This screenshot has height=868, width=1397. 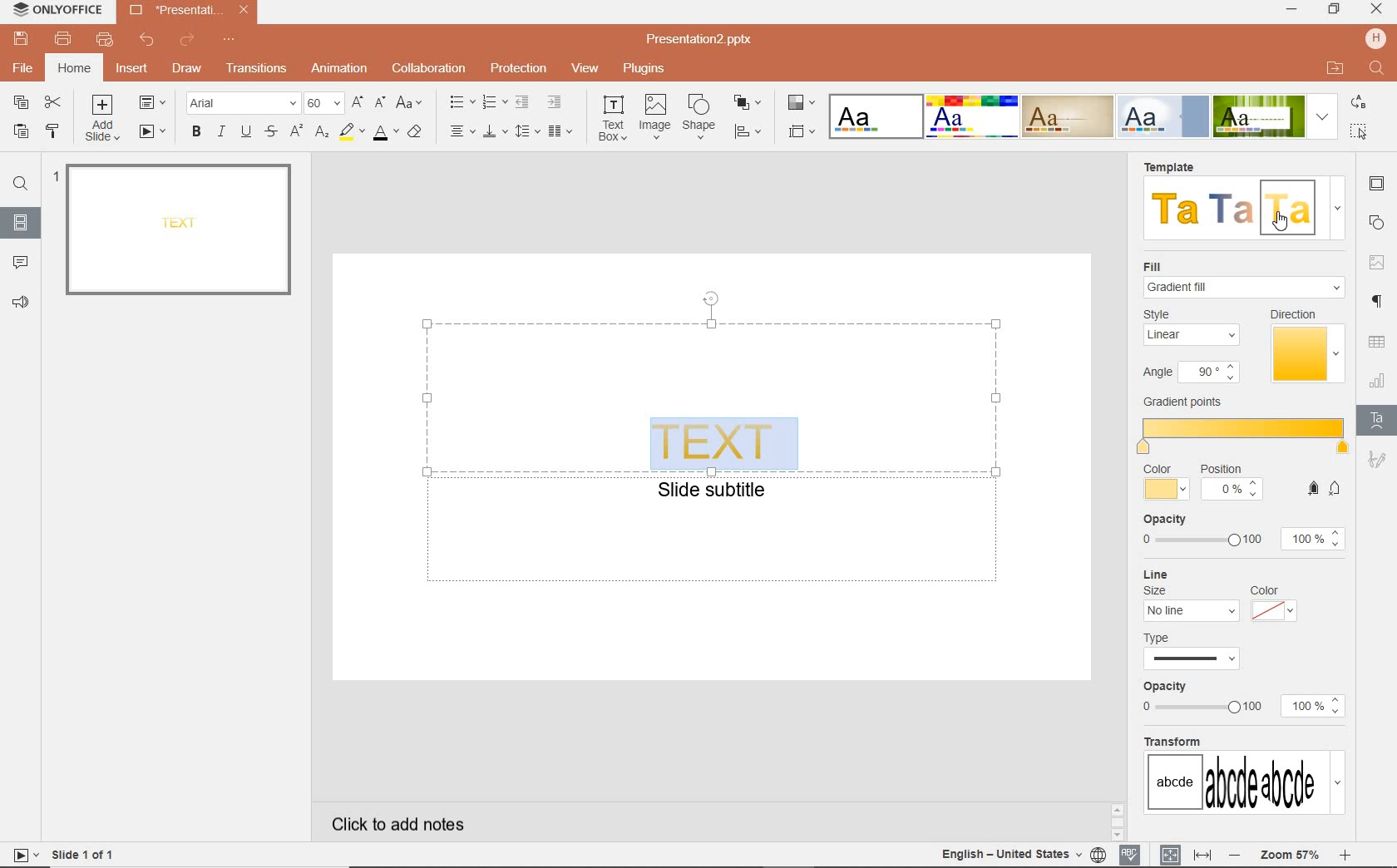 What do you see at coordinates (339, 70) in the screenshot?
I see `ANIMATION` at bounding box center [339, 70].